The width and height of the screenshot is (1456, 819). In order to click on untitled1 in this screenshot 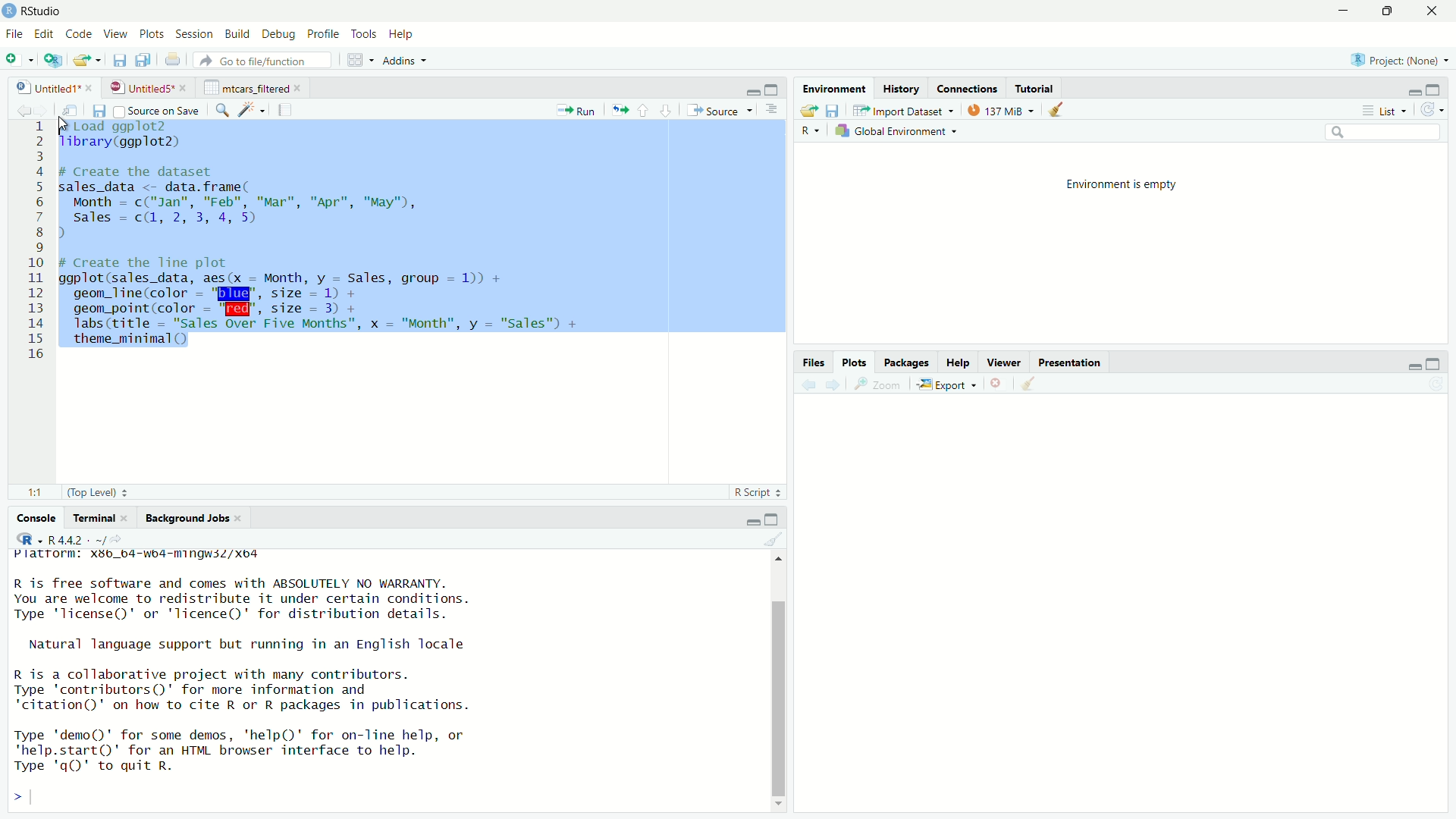, I will do `click(46, 88)`.